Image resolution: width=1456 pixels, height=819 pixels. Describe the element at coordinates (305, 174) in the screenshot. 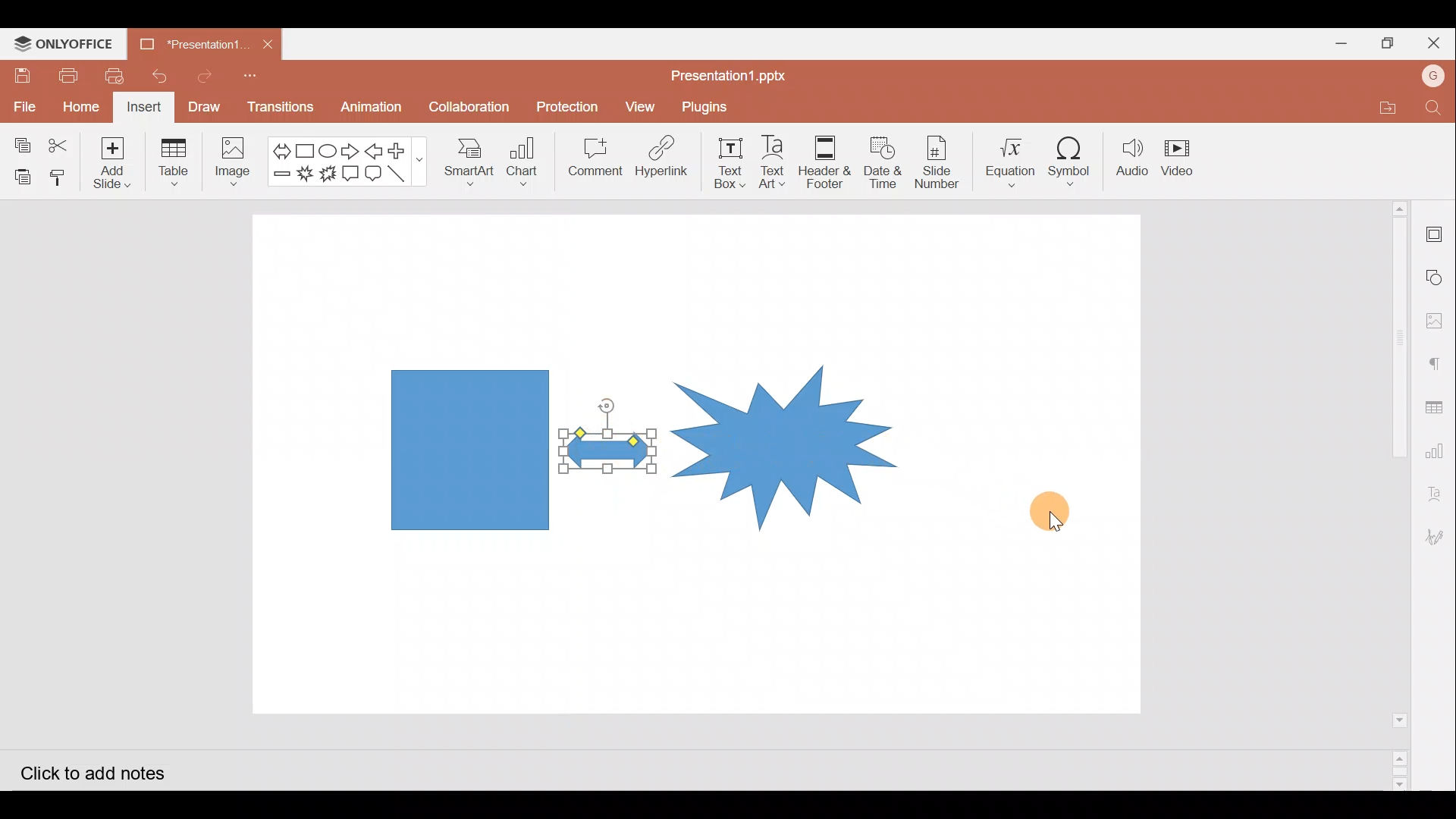

I see `Explosion 1` at that location.